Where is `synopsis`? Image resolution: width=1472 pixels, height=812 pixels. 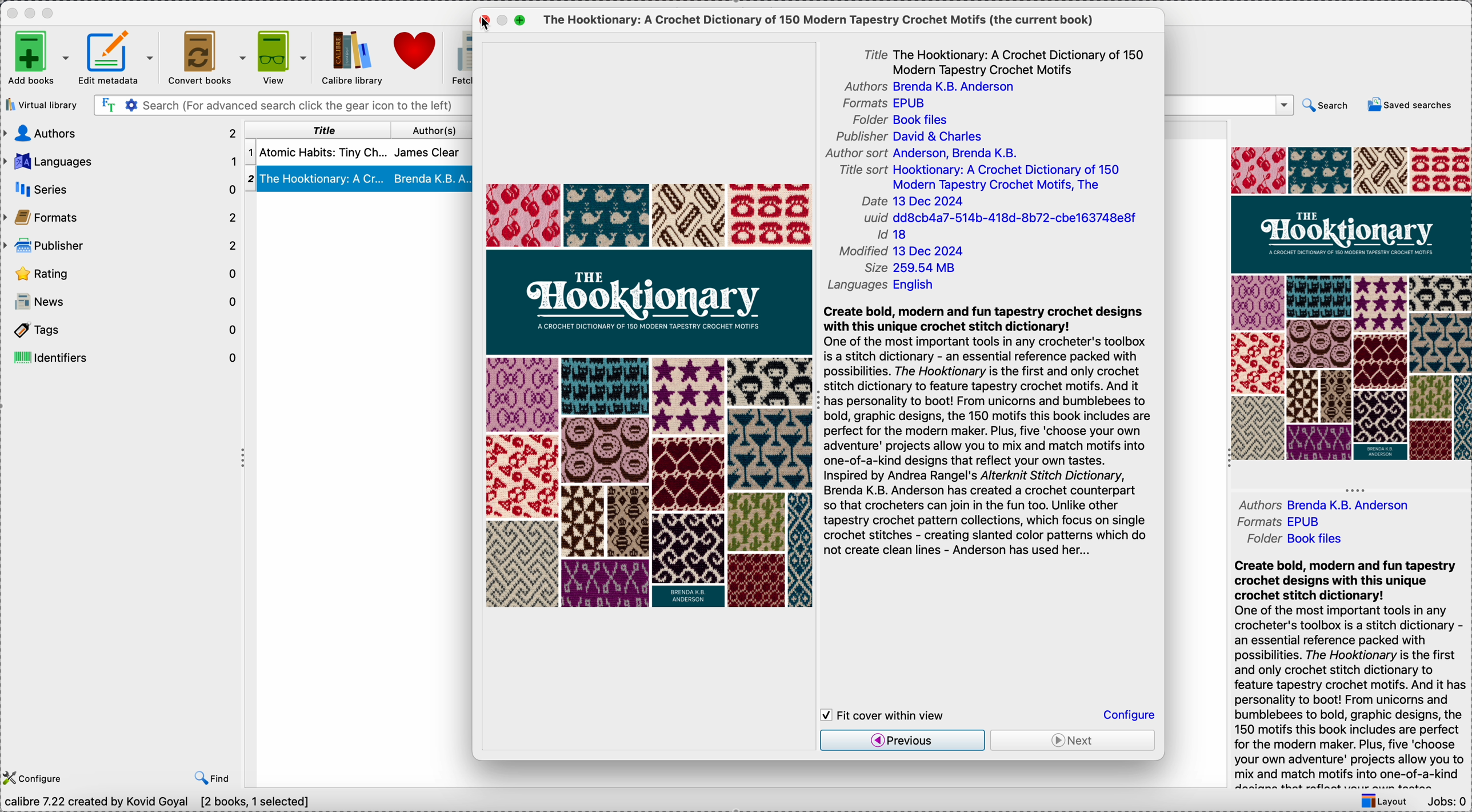 synopsis is located at coordinates (990, 435).